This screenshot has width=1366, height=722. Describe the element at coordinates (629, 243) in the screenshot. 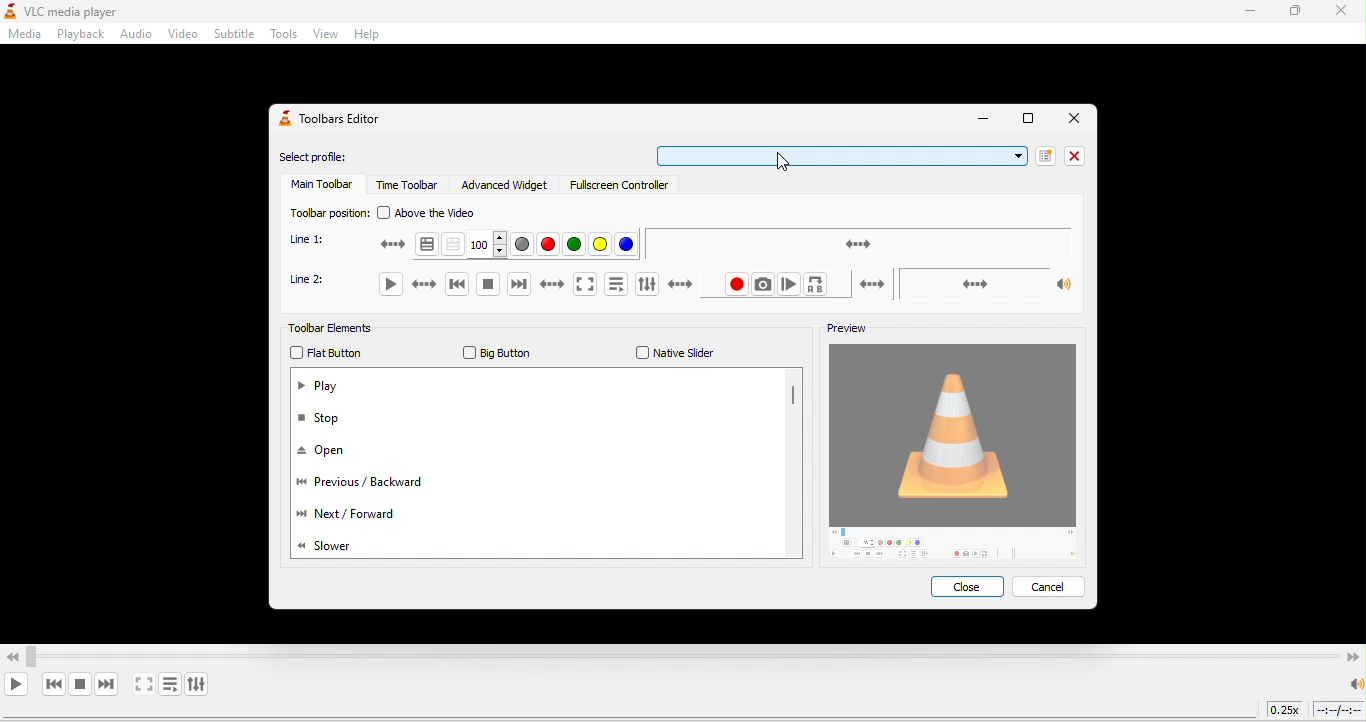

I see `blue` at that location.